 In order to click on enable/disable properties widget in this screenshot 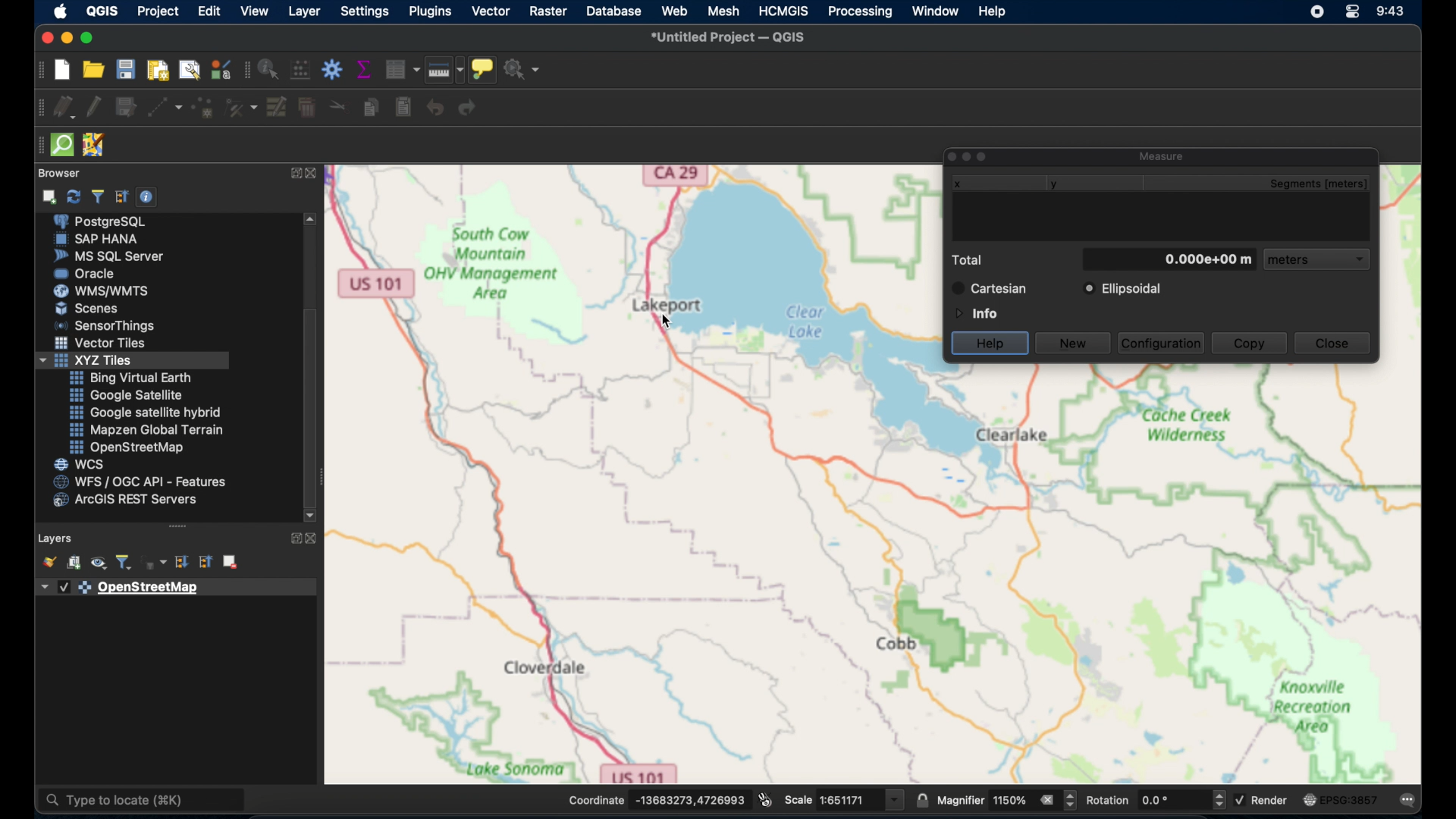, I will do `click(146, 197)`.